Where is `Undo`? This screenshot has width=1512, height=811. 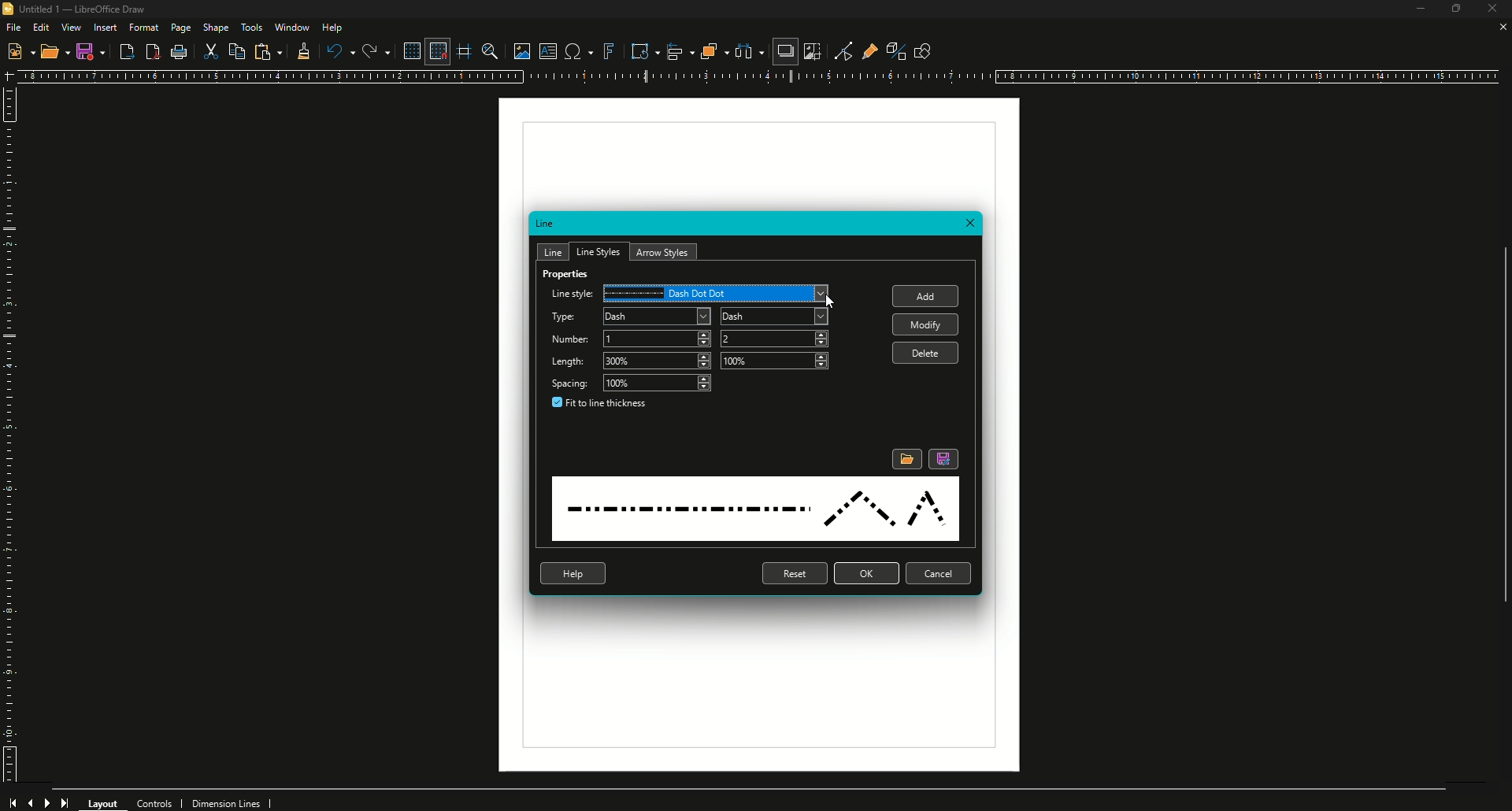 Undo is located at coordinates (339, 51).